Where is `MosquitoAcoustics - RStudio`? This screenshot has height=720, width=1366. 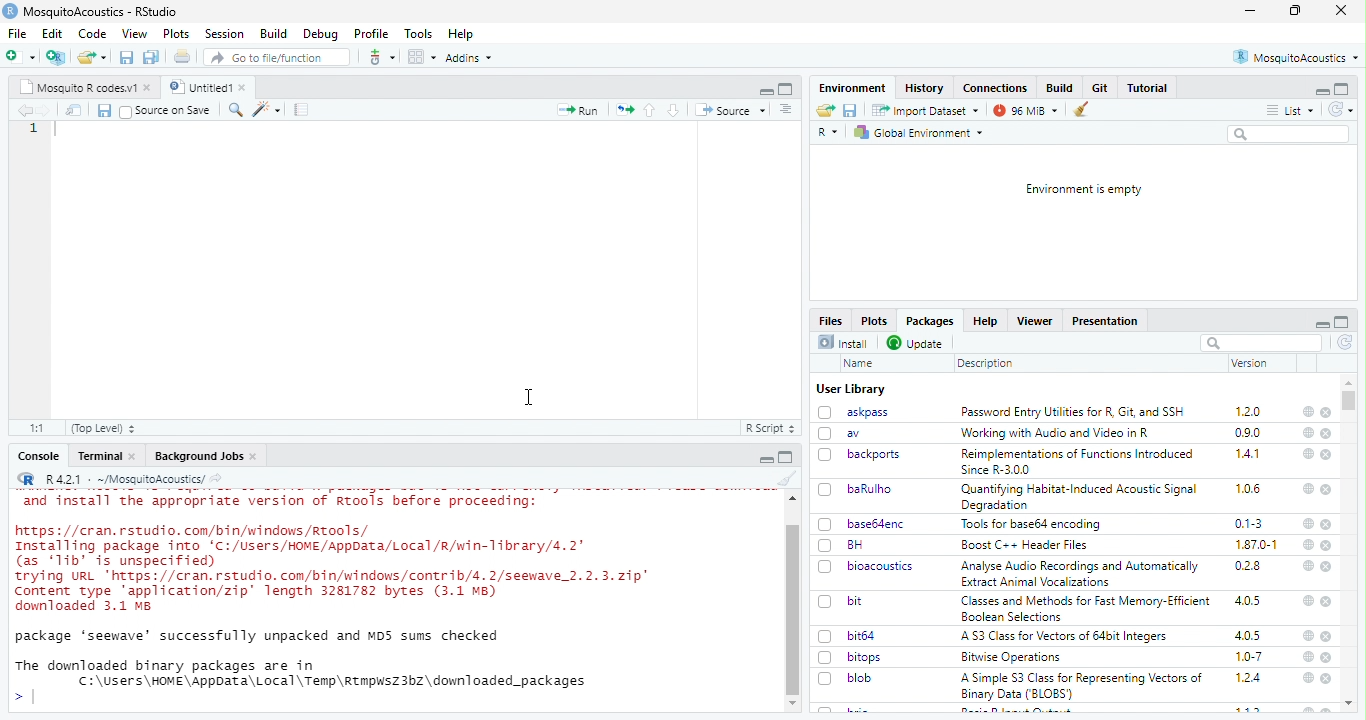
MosquitoAcoustics - RStudio is located at coordinates (101, 12).